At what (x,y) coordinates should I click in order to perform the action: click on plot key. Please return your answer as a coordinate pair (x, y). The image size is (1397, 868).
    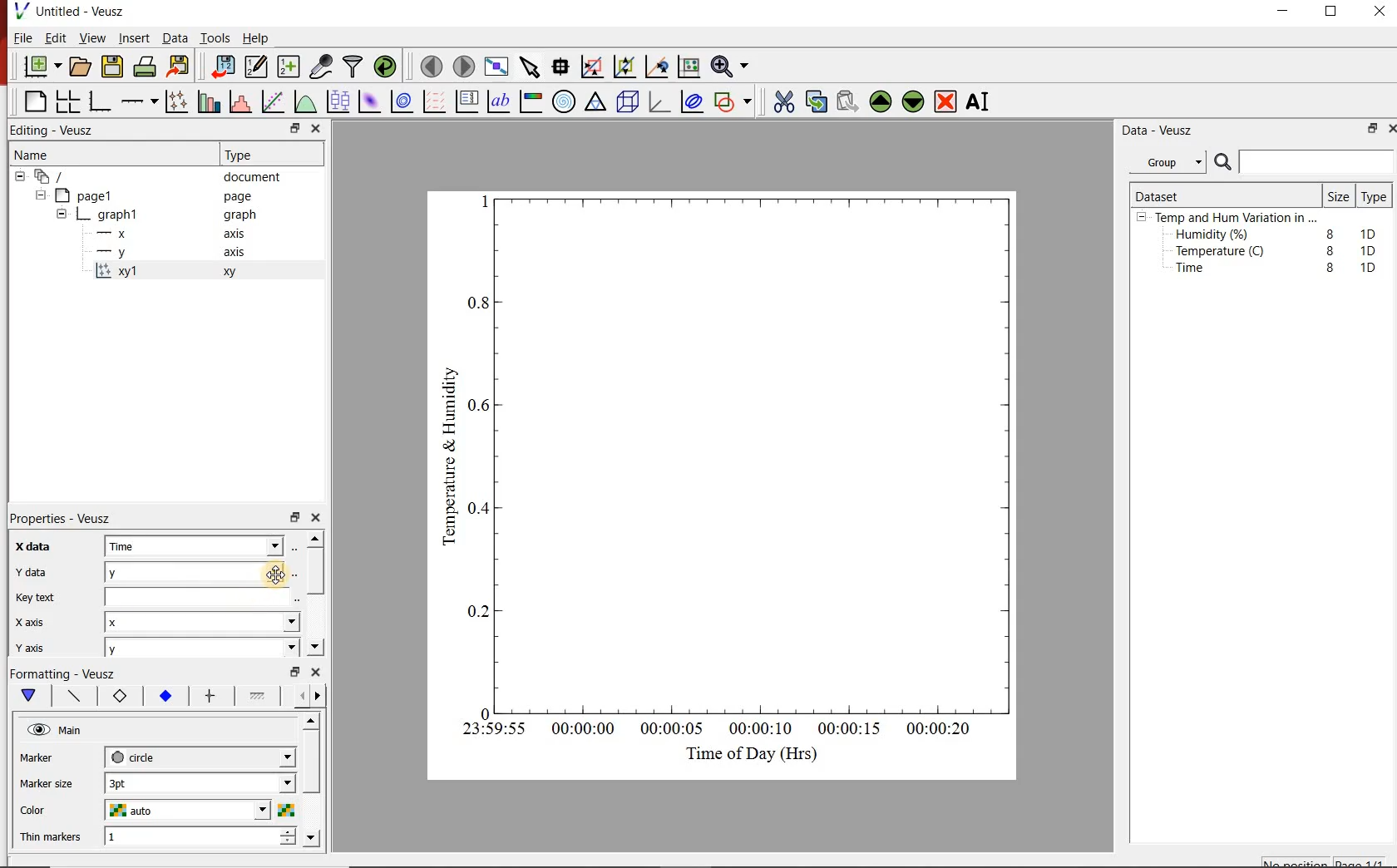
    Looking at the image, I should click on (470, 101).